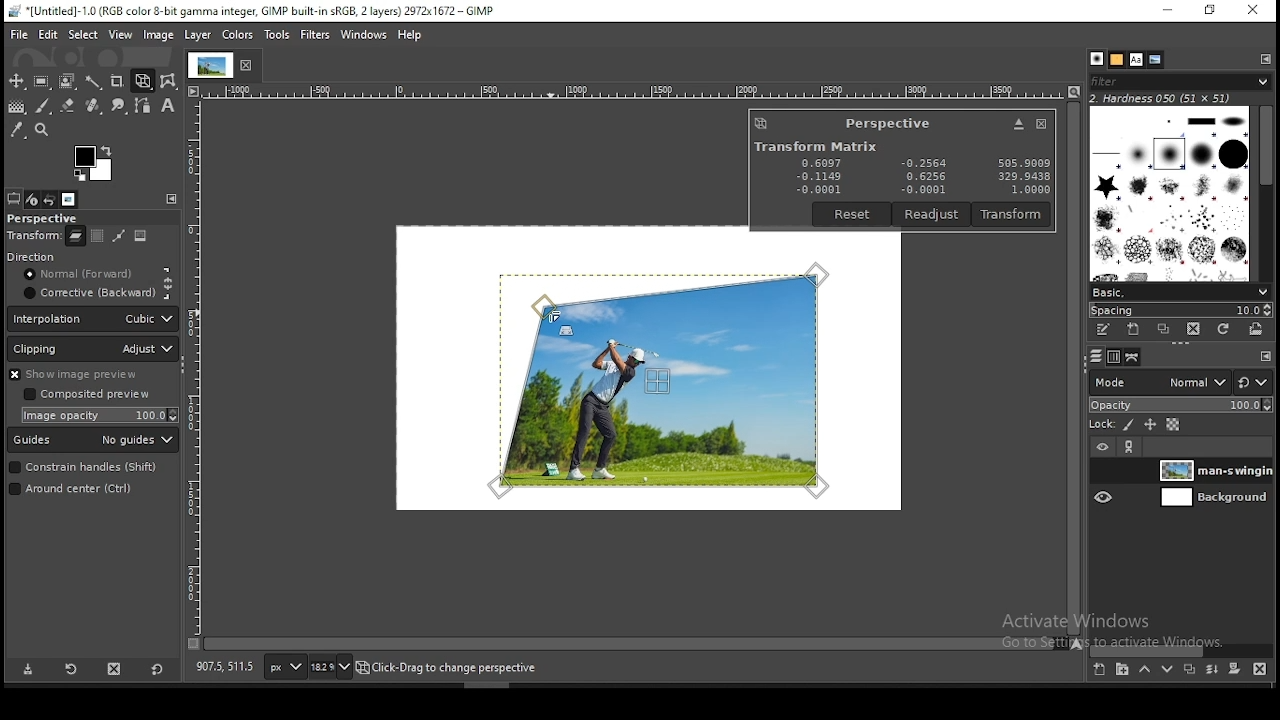  I want to click on brush tool, so click(44, 105).